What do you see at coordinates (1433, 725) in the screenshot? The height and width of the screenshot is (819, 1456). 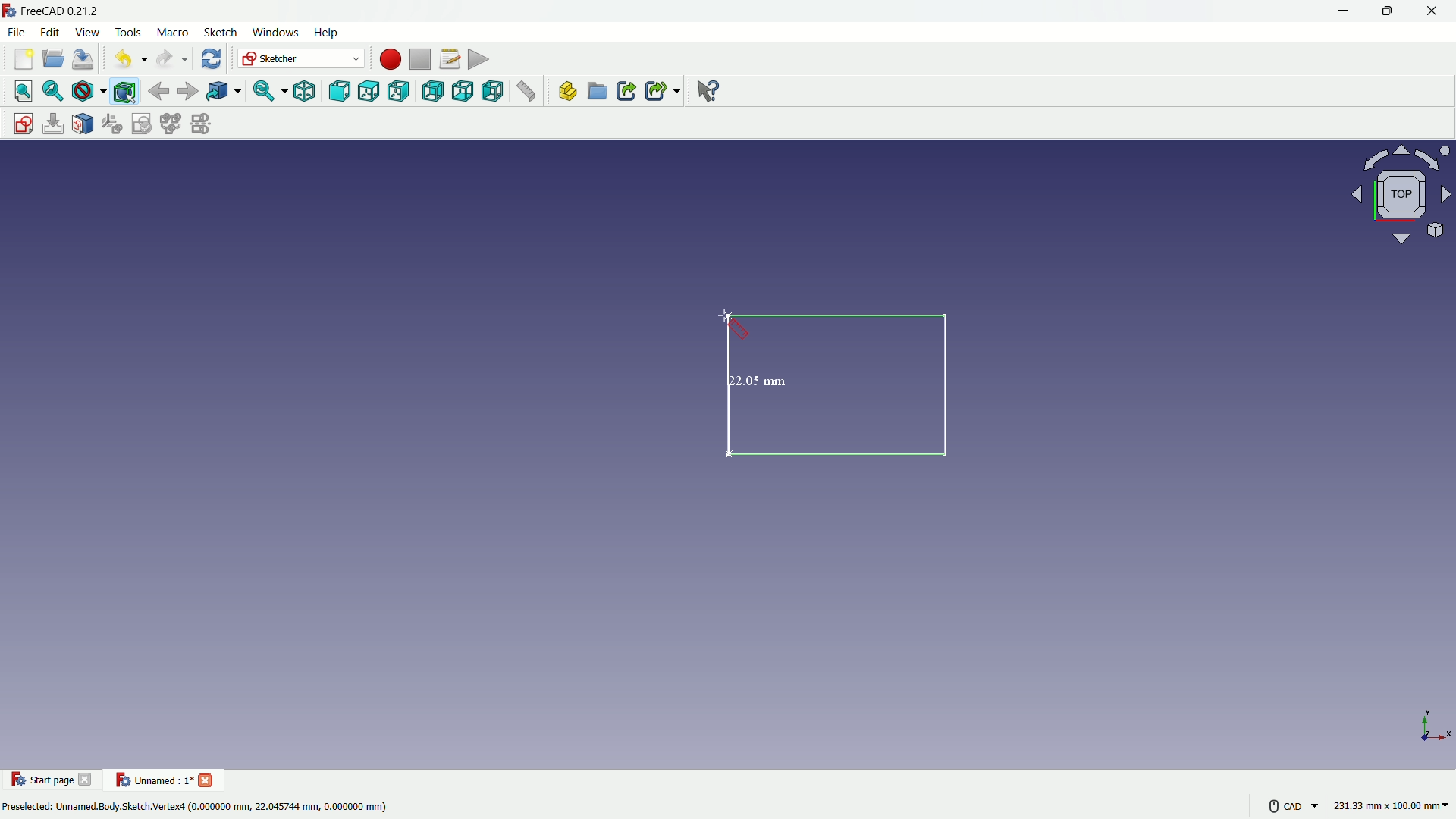 I see `placement axes` at bounding box center [1433, 725].